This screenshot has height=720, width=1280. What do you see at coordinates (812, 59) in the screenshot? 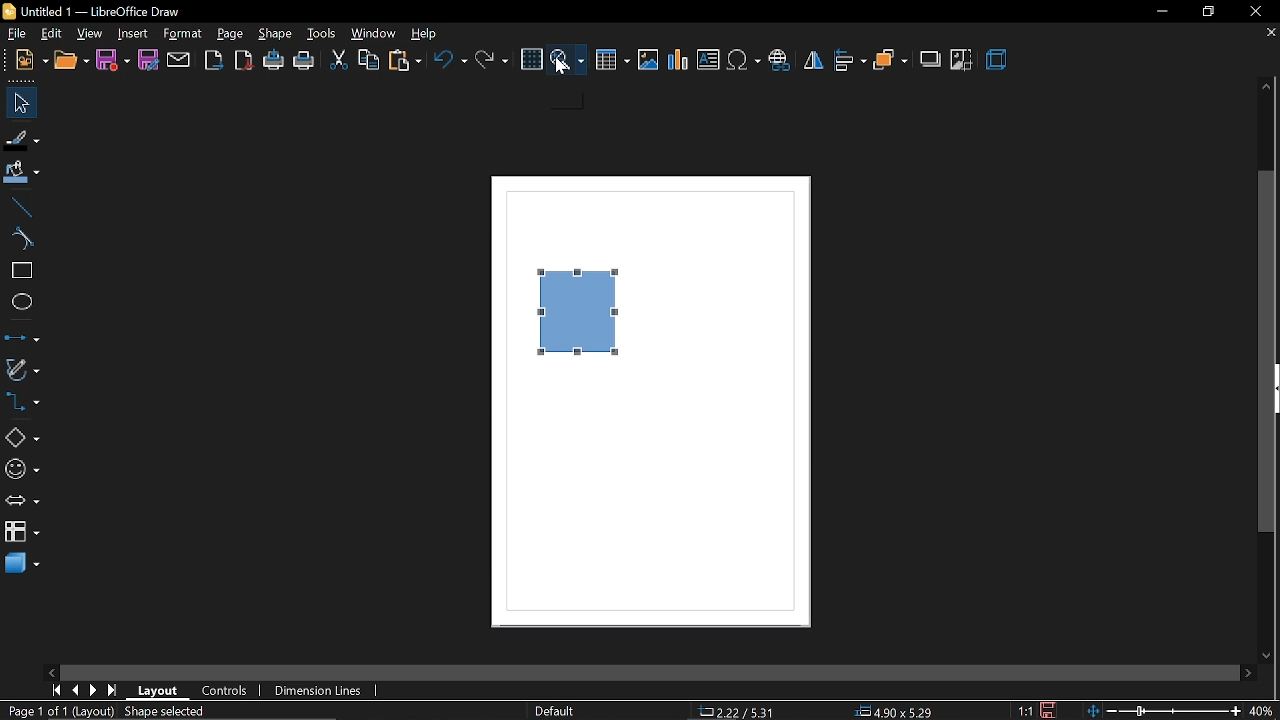
I see `flip` at bounding box center [812, 59].